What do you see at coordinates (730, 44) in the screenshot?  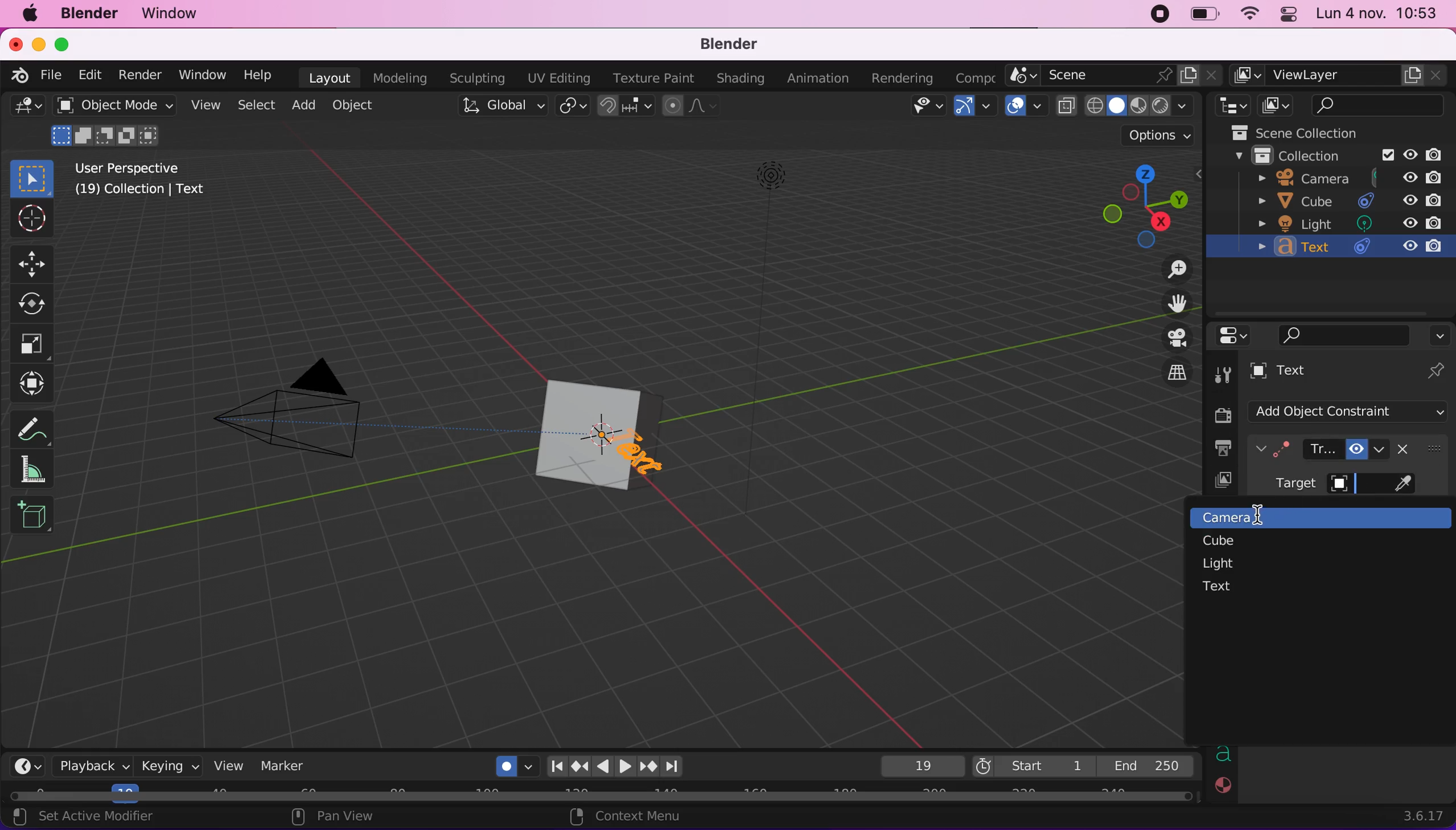 I see `blender` at bounding box center [730, 44].